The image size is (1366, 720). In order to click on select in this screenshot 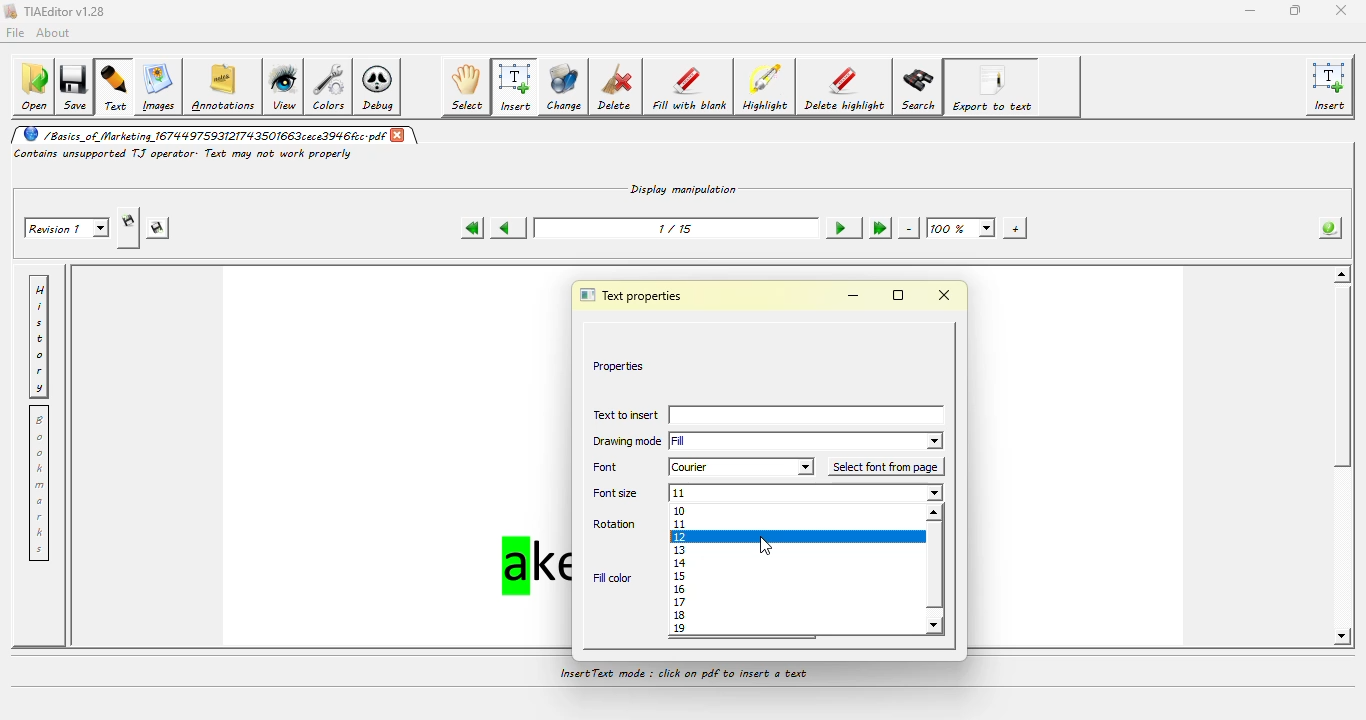, I will do `click(468, 87)`.